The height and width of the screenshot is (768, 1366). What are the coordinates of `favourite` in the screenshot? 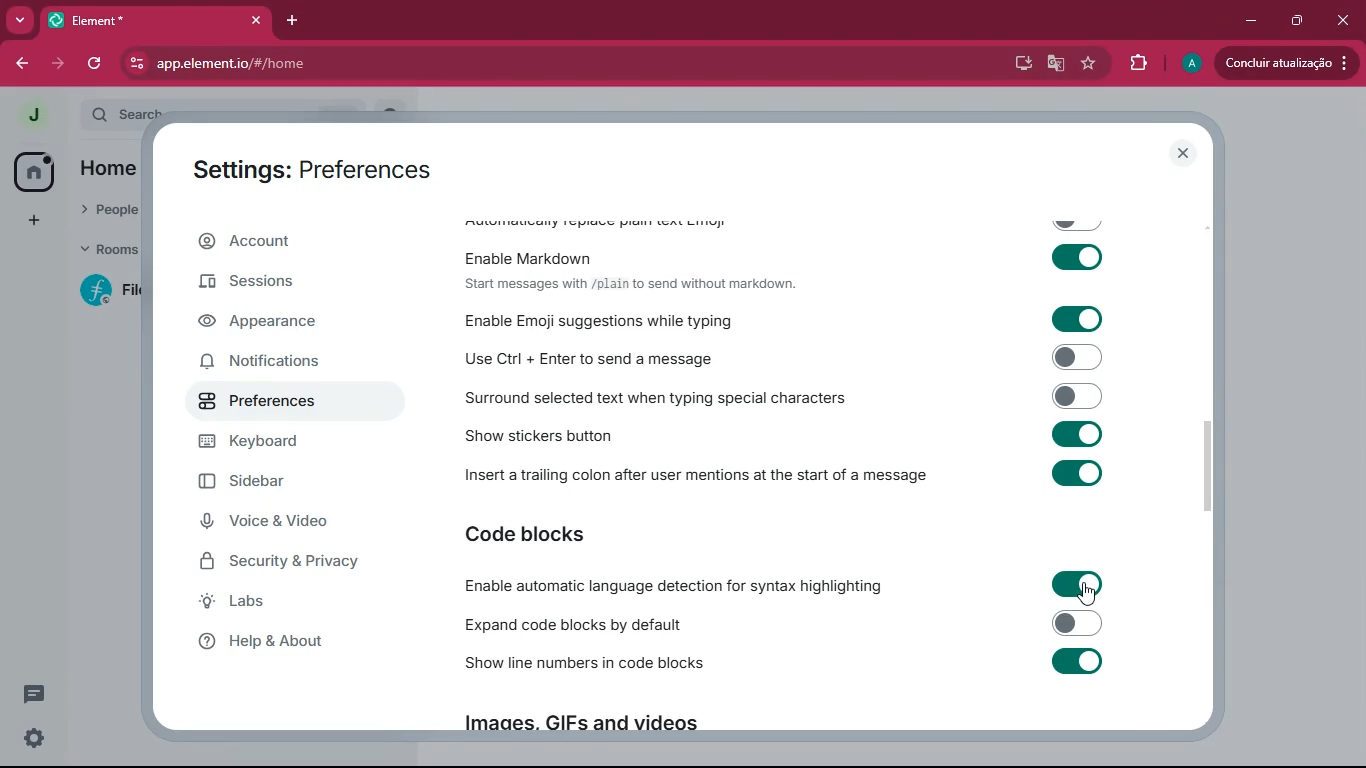 It's located at (1088, 65).